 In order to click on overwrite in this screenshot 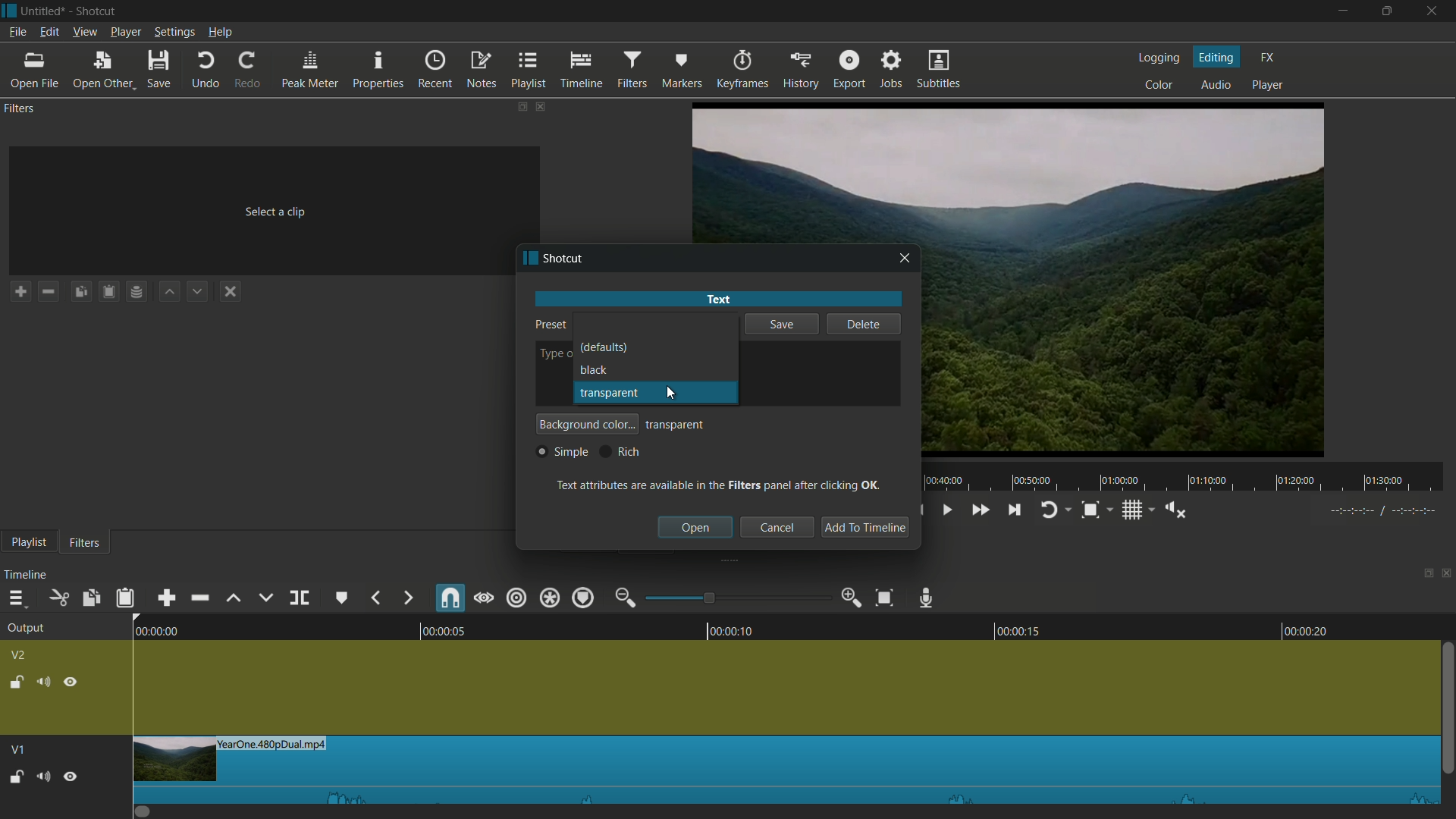, I will do `click(265, 598)`.